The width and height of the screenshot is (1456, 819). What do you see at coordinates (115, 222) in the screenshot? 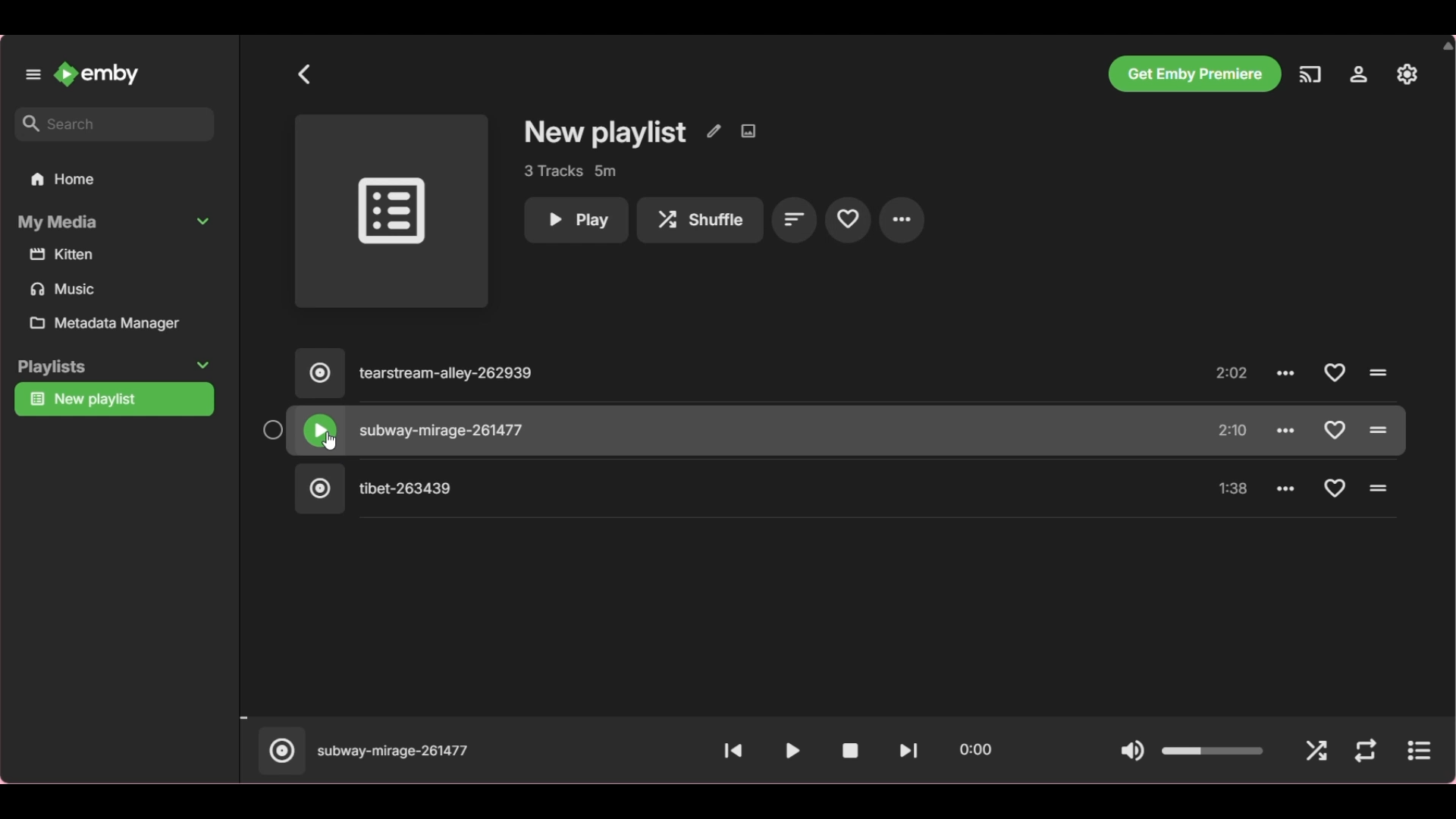
I see `Collapse My Media` at bounding box center [115, 222].